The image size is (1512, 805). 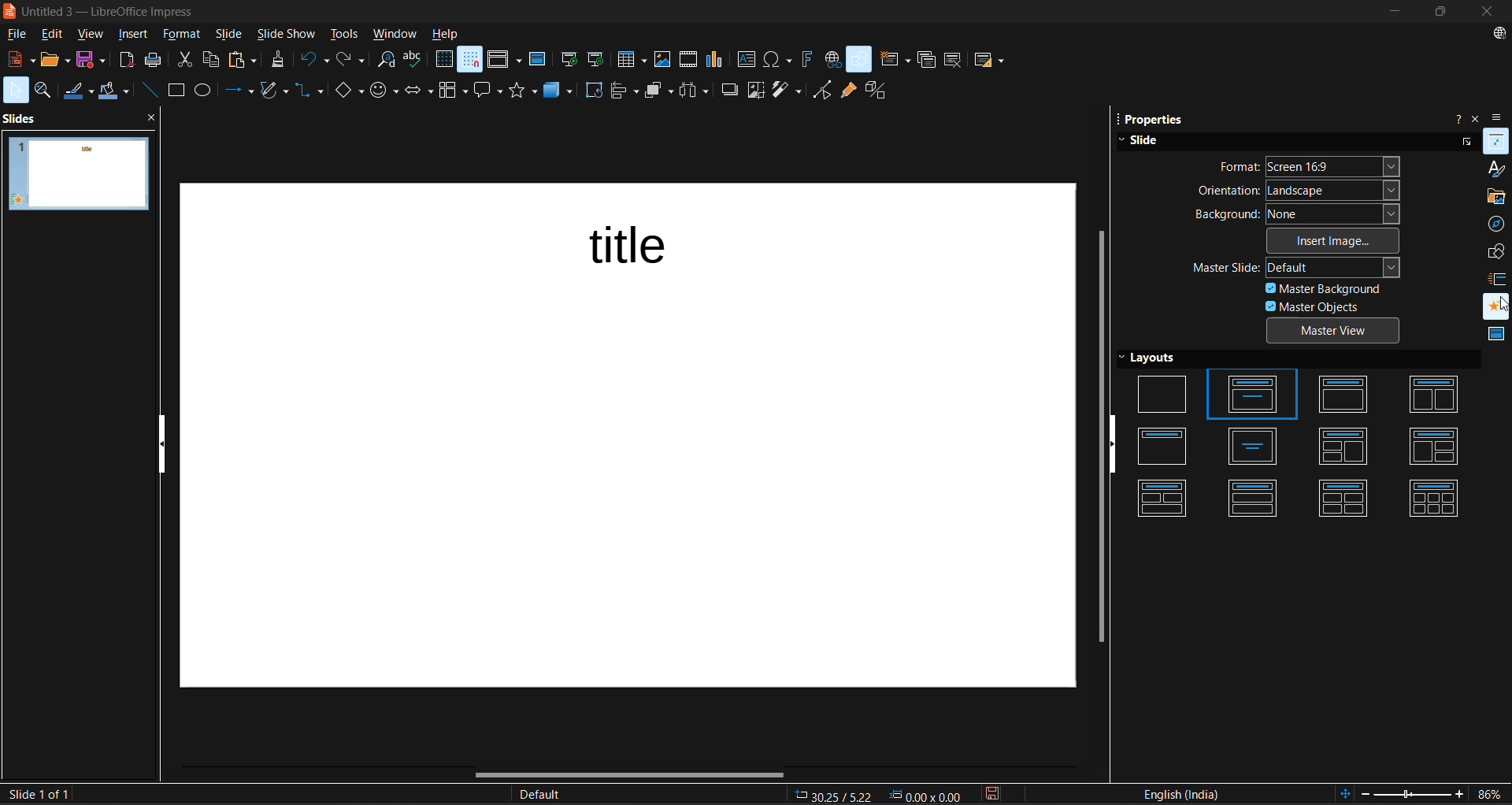 I want to click on lines and arrows, so click(x=243, y=91).